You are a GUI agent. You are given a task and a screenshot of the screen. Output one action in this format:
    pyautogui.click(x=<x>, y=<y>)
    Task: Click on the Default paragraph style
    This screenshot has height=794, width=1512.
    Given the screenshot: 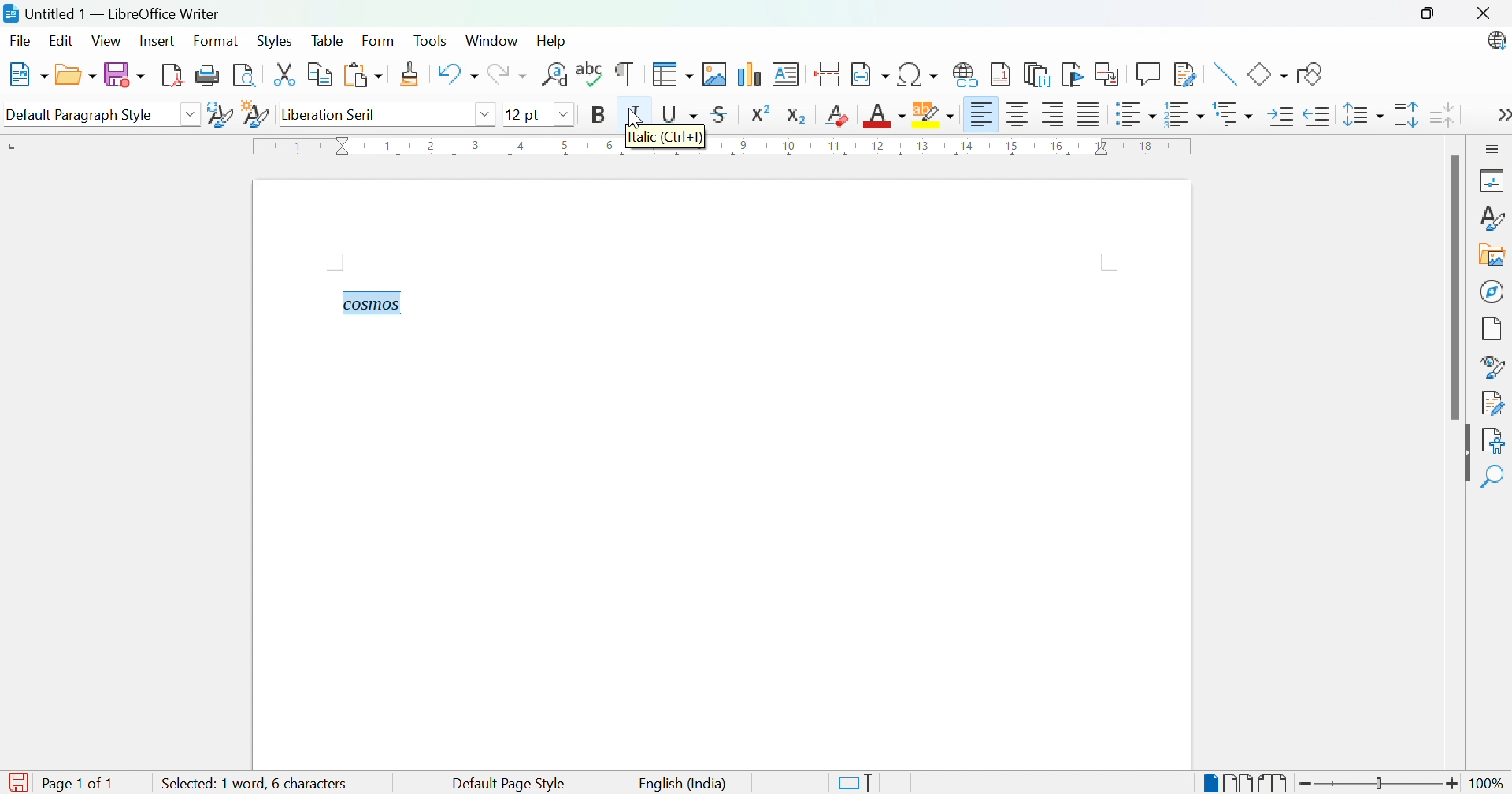 What is the action you would take?
    pyautogui.click(x=80, y=113)
    